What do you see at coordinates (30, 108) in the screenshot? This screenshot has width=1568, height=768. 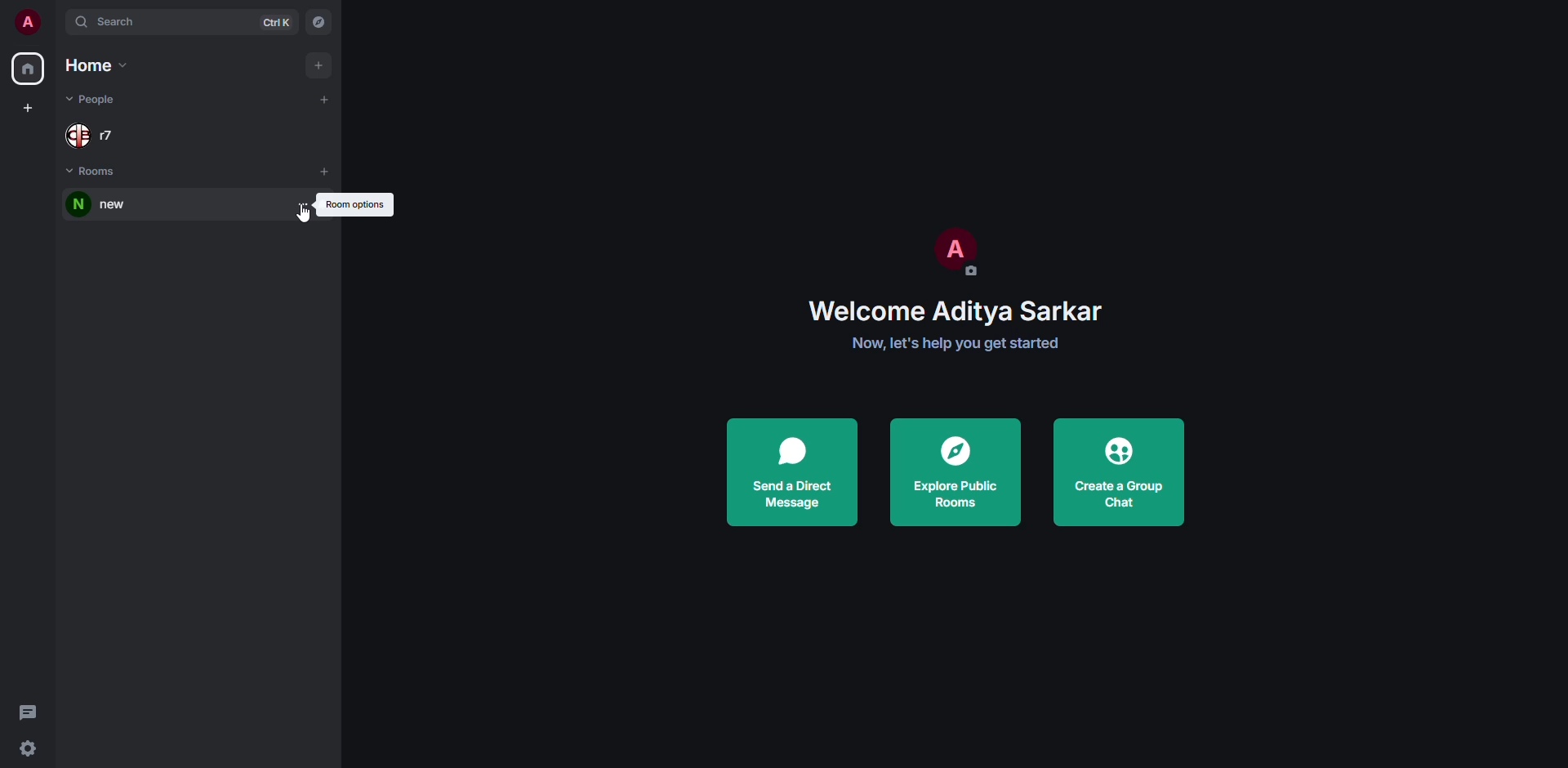 I see `create space` at bounding box center [30, 108].